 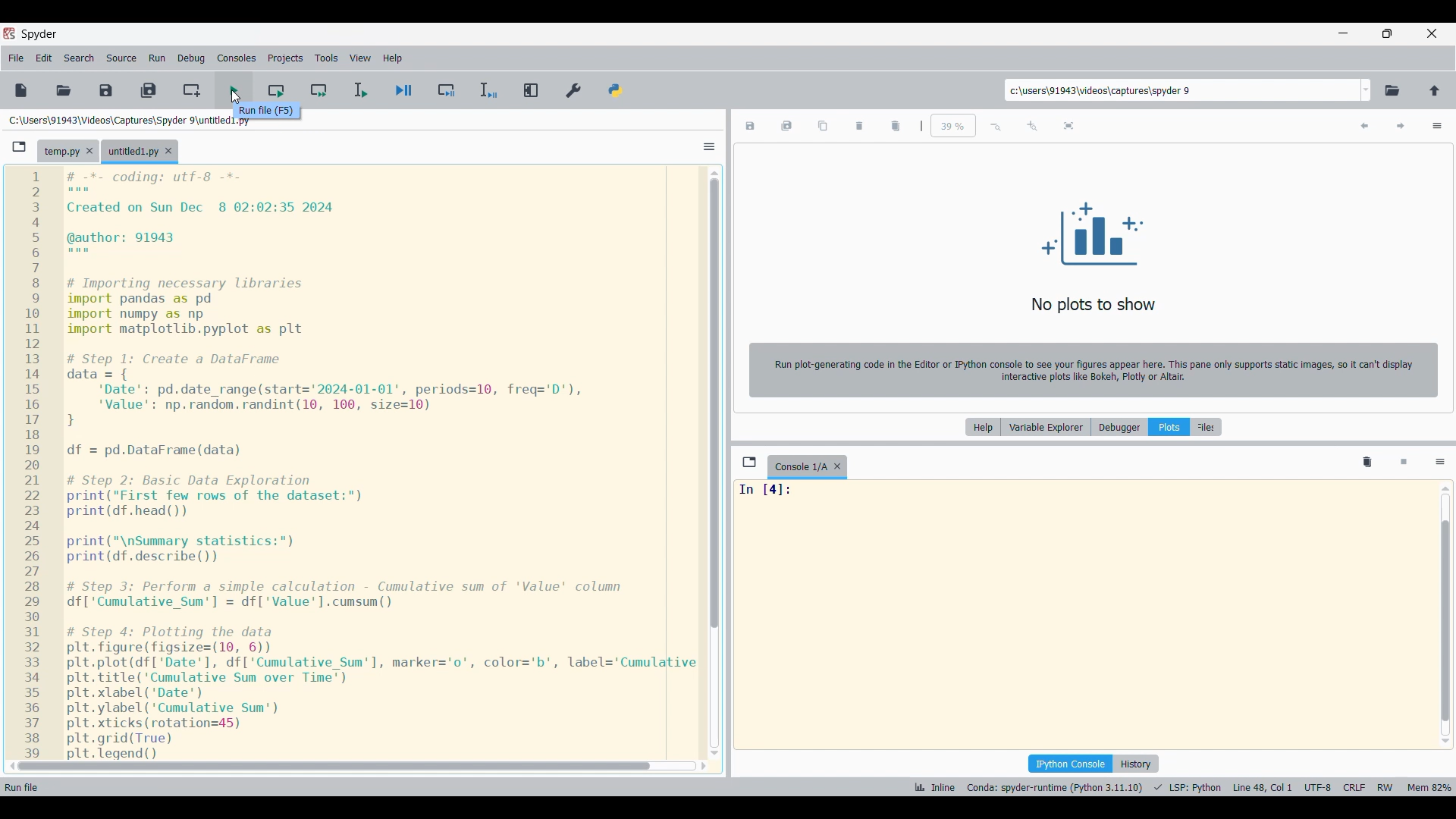 What do you see at coordinates (1033, 126) in the screenshot?
I see `Zoom in` at bounding box center [1033, 126].